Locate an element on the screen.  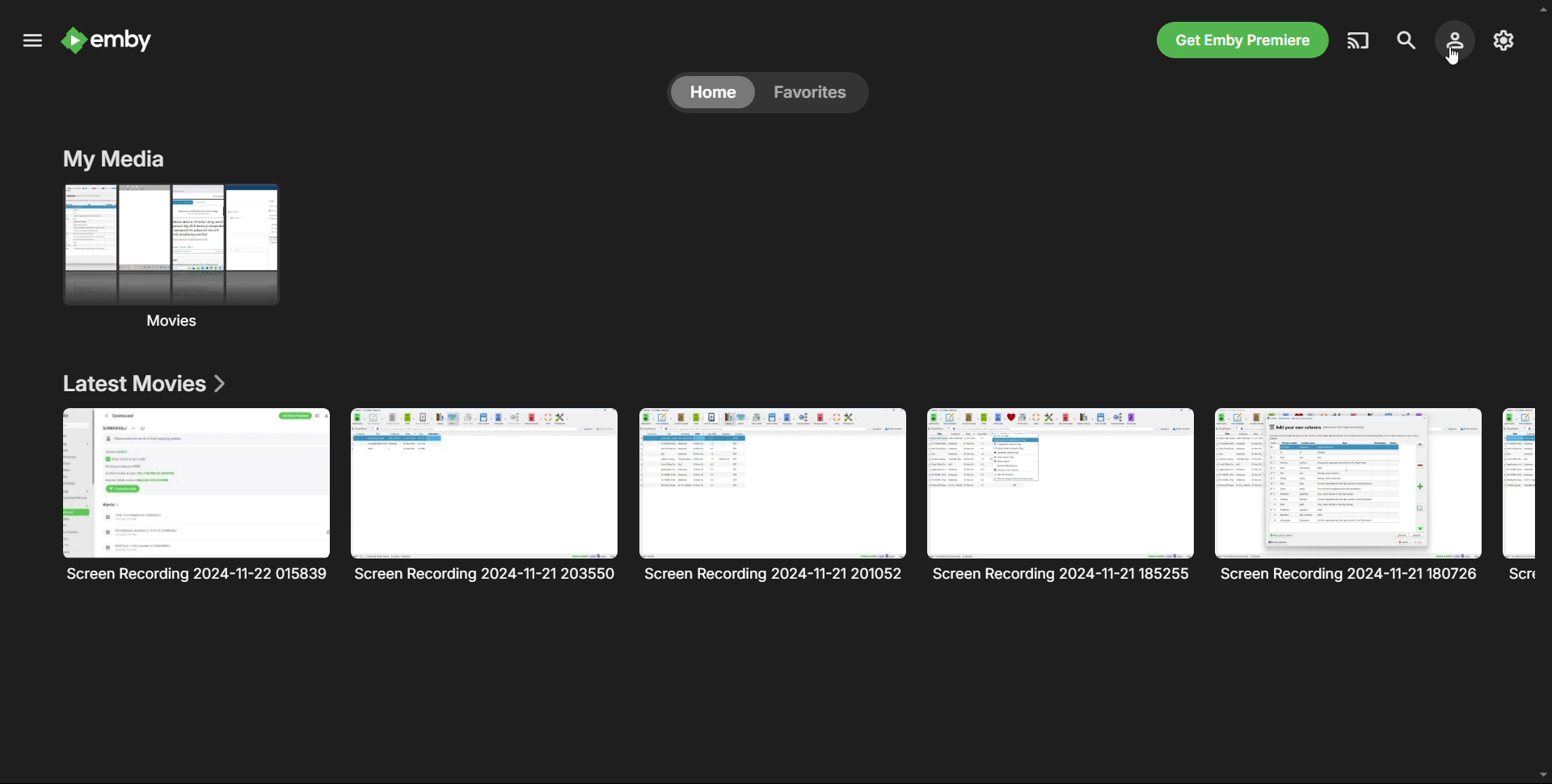
Movie is located at coordinates (1519, 495).